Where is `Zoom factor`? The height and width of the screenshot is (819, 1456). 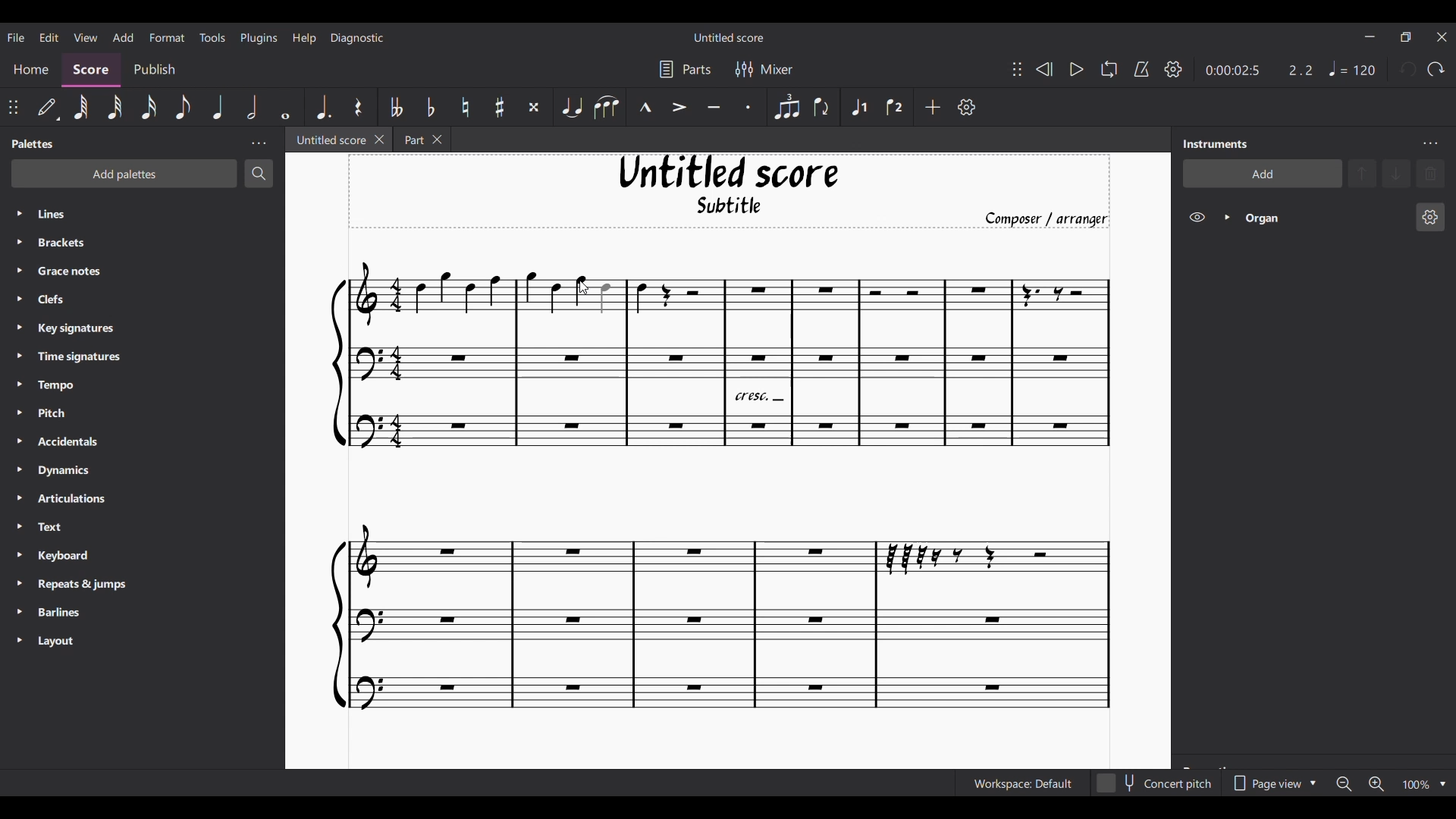 Zoom factor is located at coordinates (1416, 785).